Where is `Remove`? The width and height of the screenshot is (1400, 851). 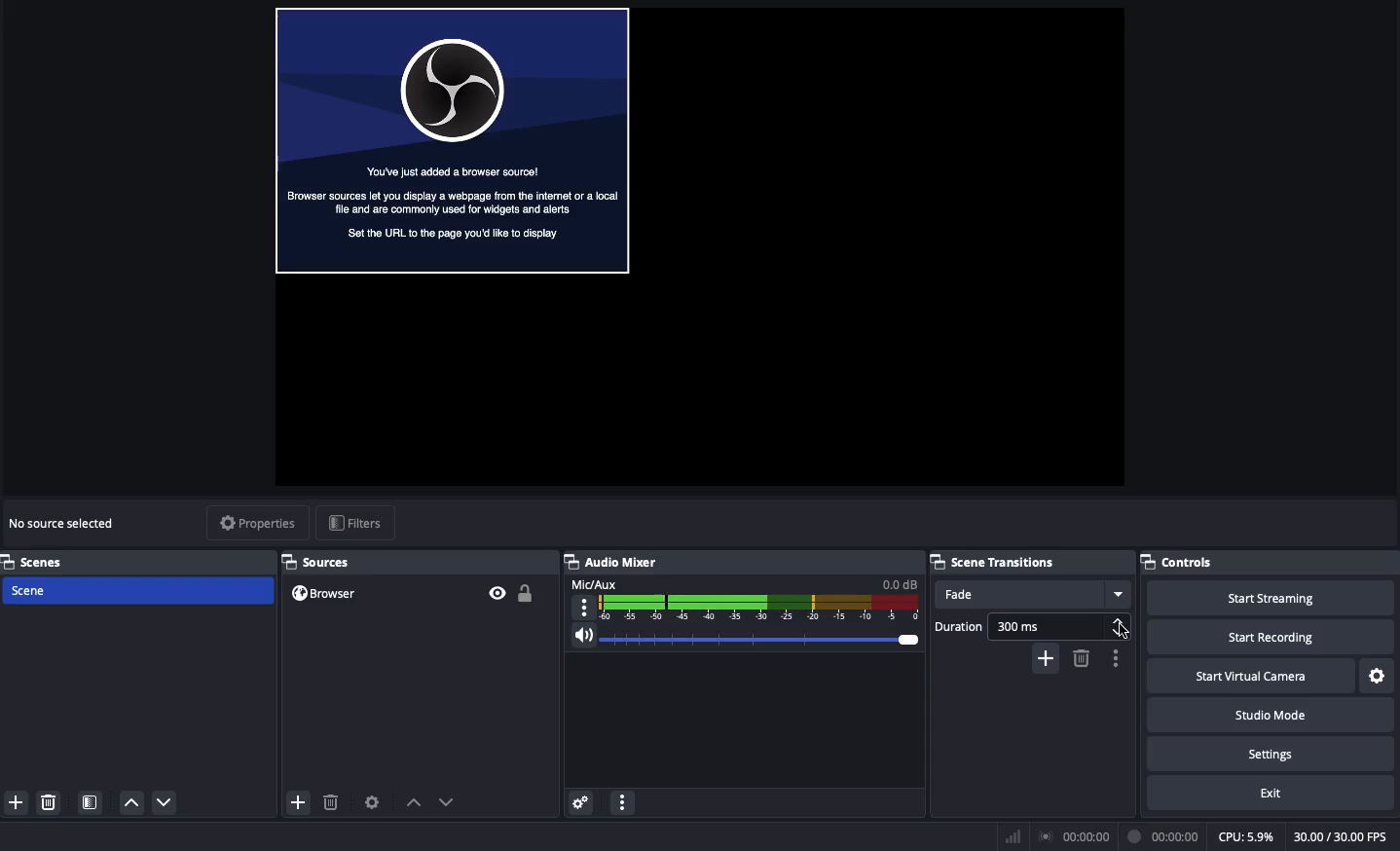
Remove is located at coordinates (51, 804).